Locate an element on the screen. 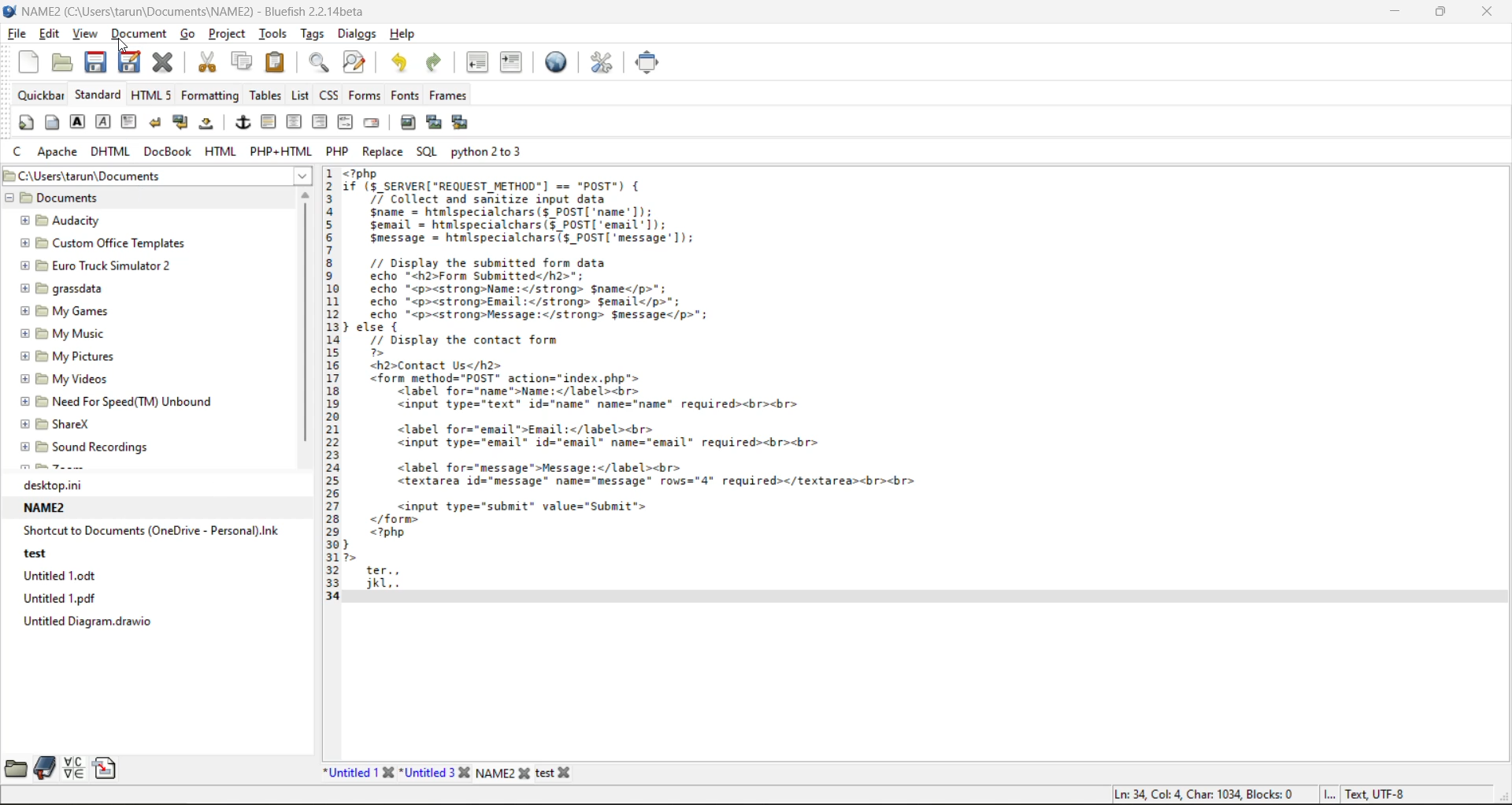  right justify is located at coordinates (320, 123).